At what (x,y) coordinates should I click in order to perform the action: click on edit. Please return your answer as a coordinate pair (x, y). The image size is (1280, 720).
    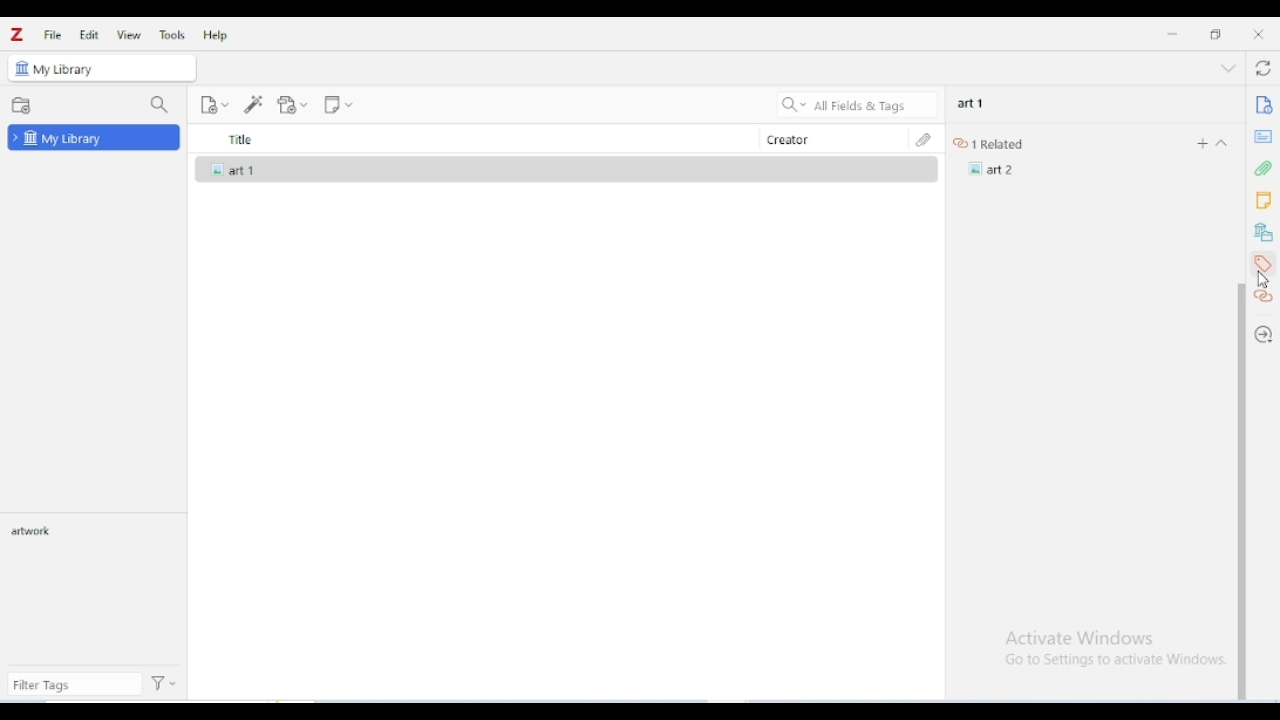
    Looking at the image, I should click on (89, 35).